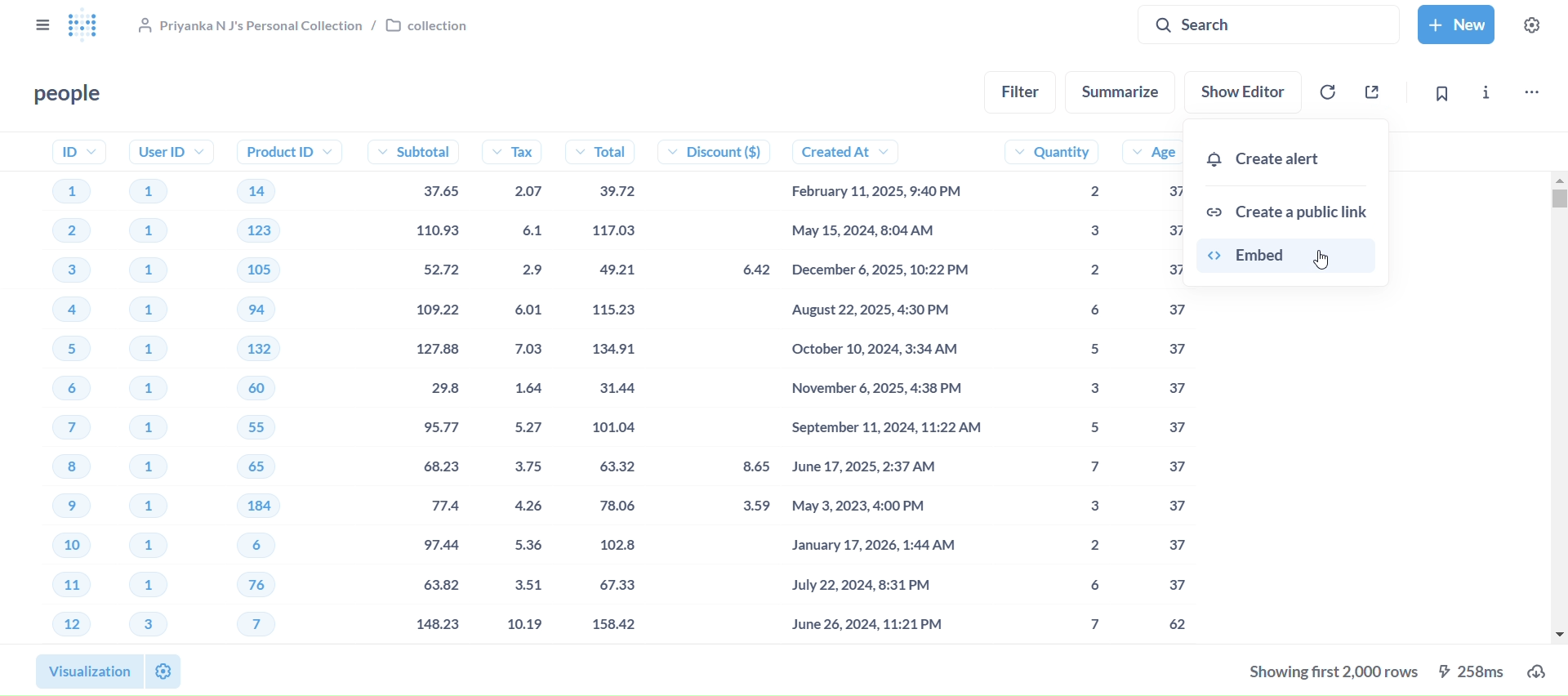 The width and height of the screenshot is (1568, 696). What do you see at coordinates (1326, 91) in the screenshot?
I see `auto-refresh` at bounding box center [1326, 91].